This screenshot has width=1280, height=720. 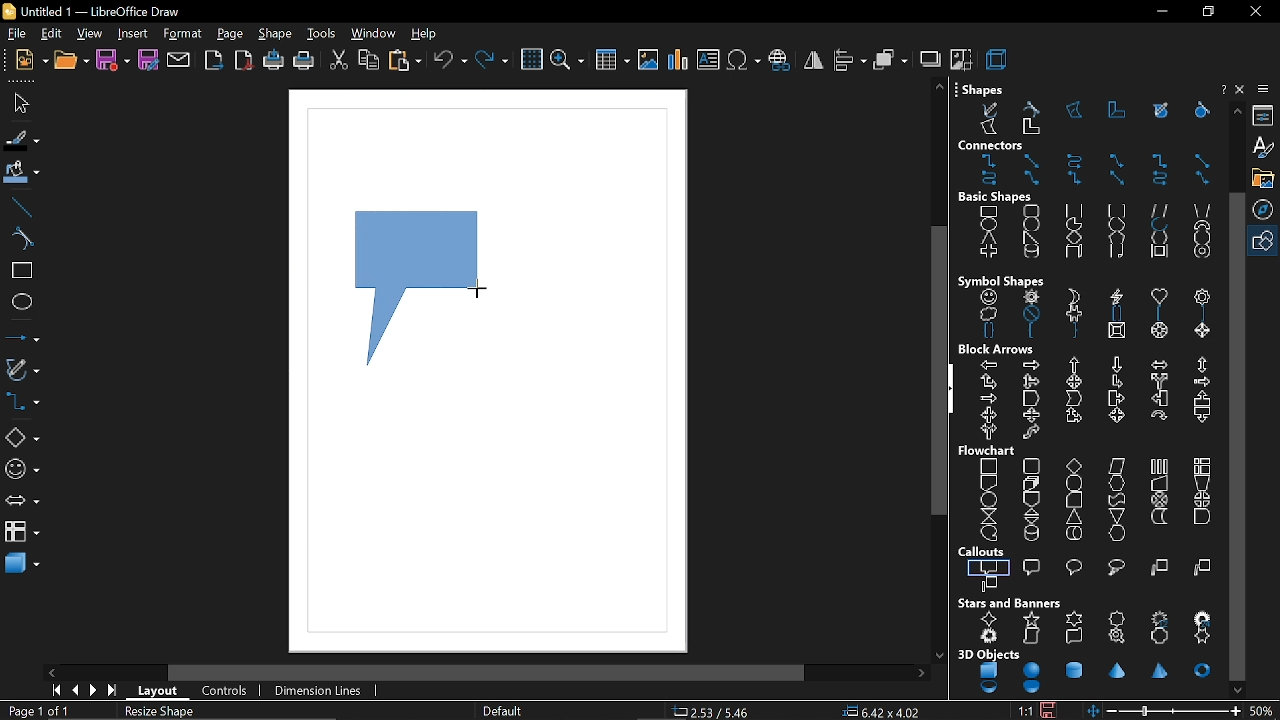 What do you see at coordinates (1117, 617) in the screenshot?
I see `8 point star` at bounding box center [1117, 617].